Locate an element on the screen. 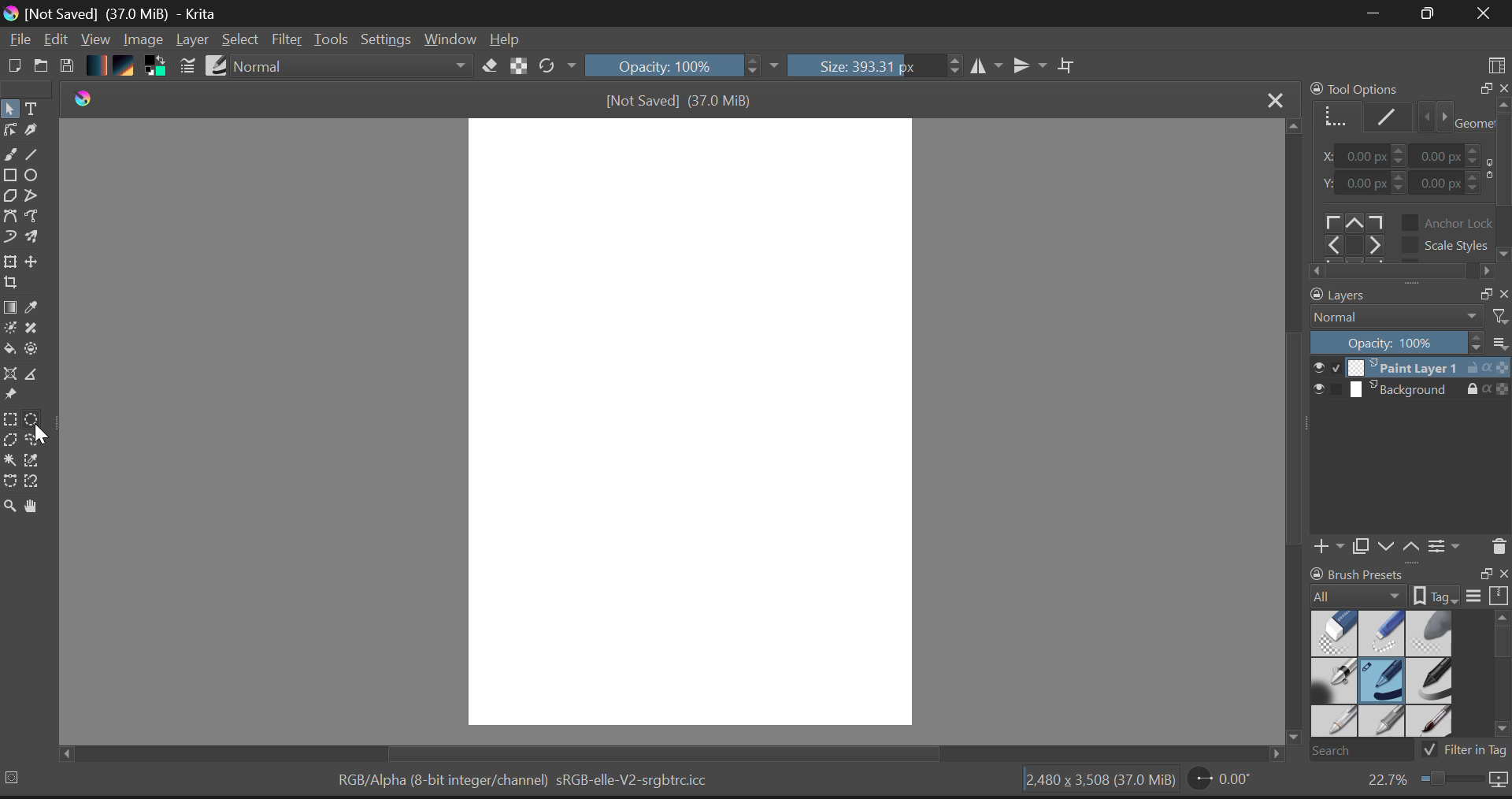 The height and width of the screenshot is (799, 1512). Freehand Path Tool is located at coordinates (36, 217).